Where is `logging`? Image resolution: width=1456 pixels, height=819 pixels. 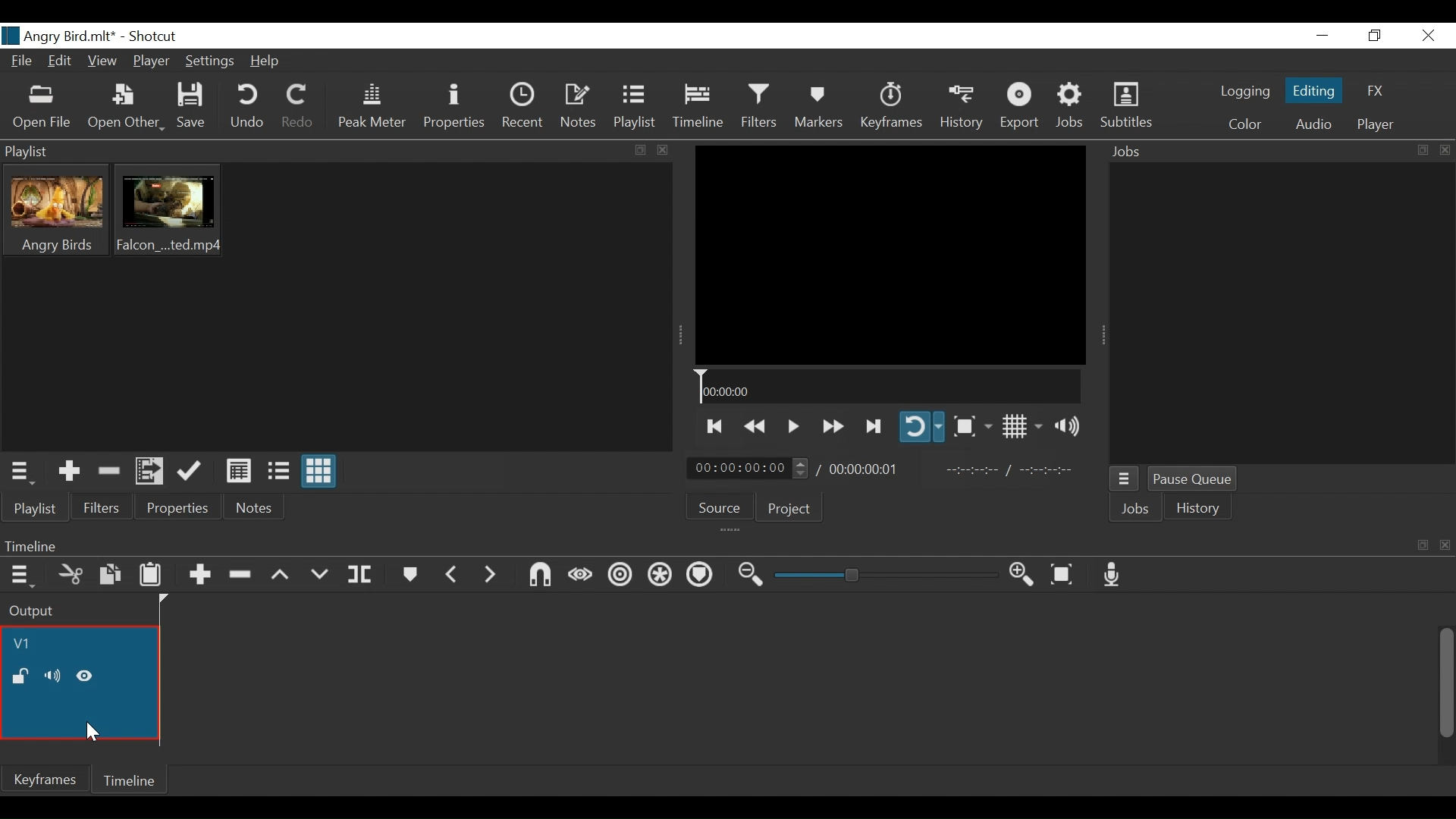
logging is located at coordinates (1246, 92).